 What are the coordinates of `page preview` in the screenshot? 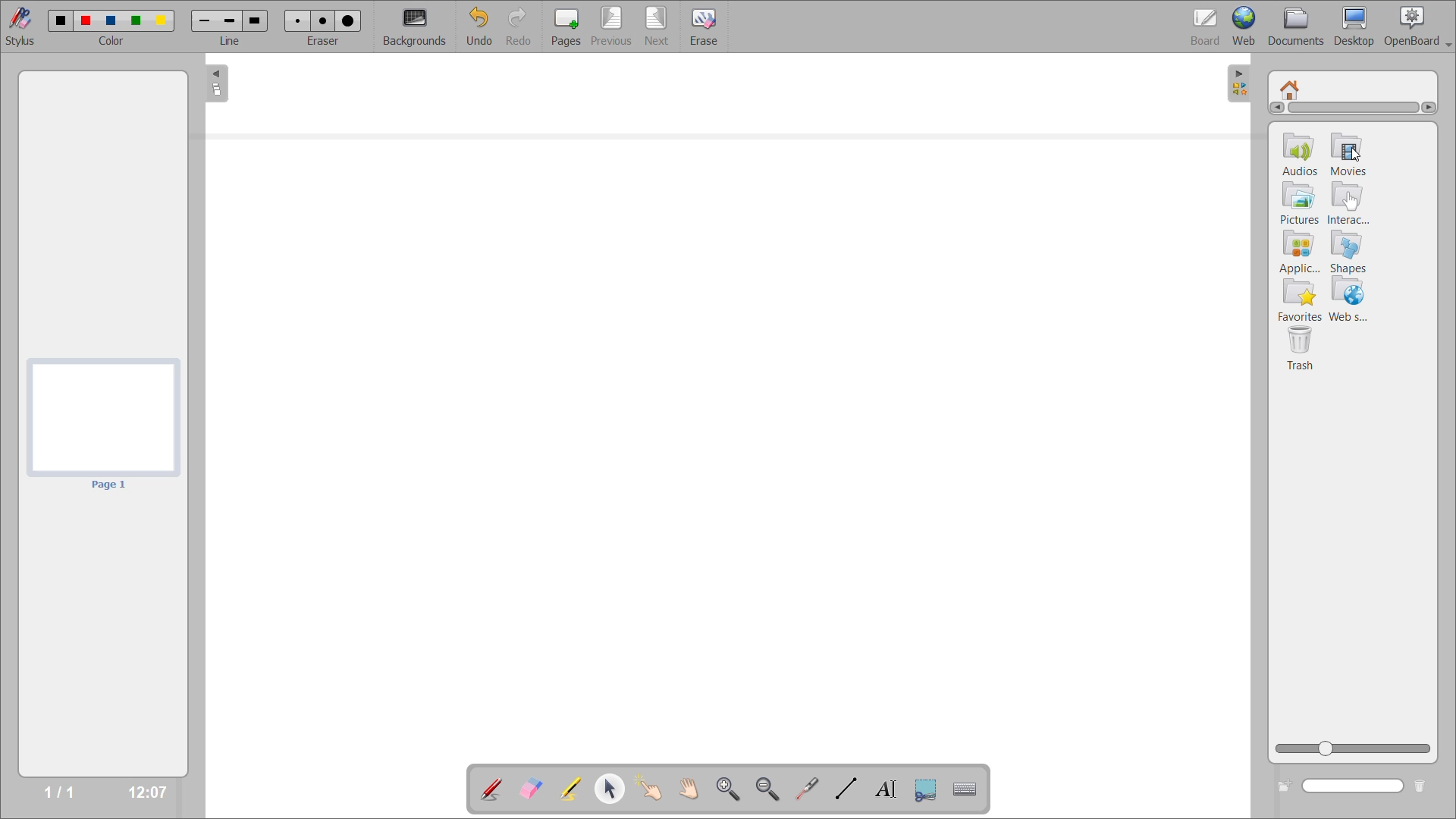 It's located at (104, 424).